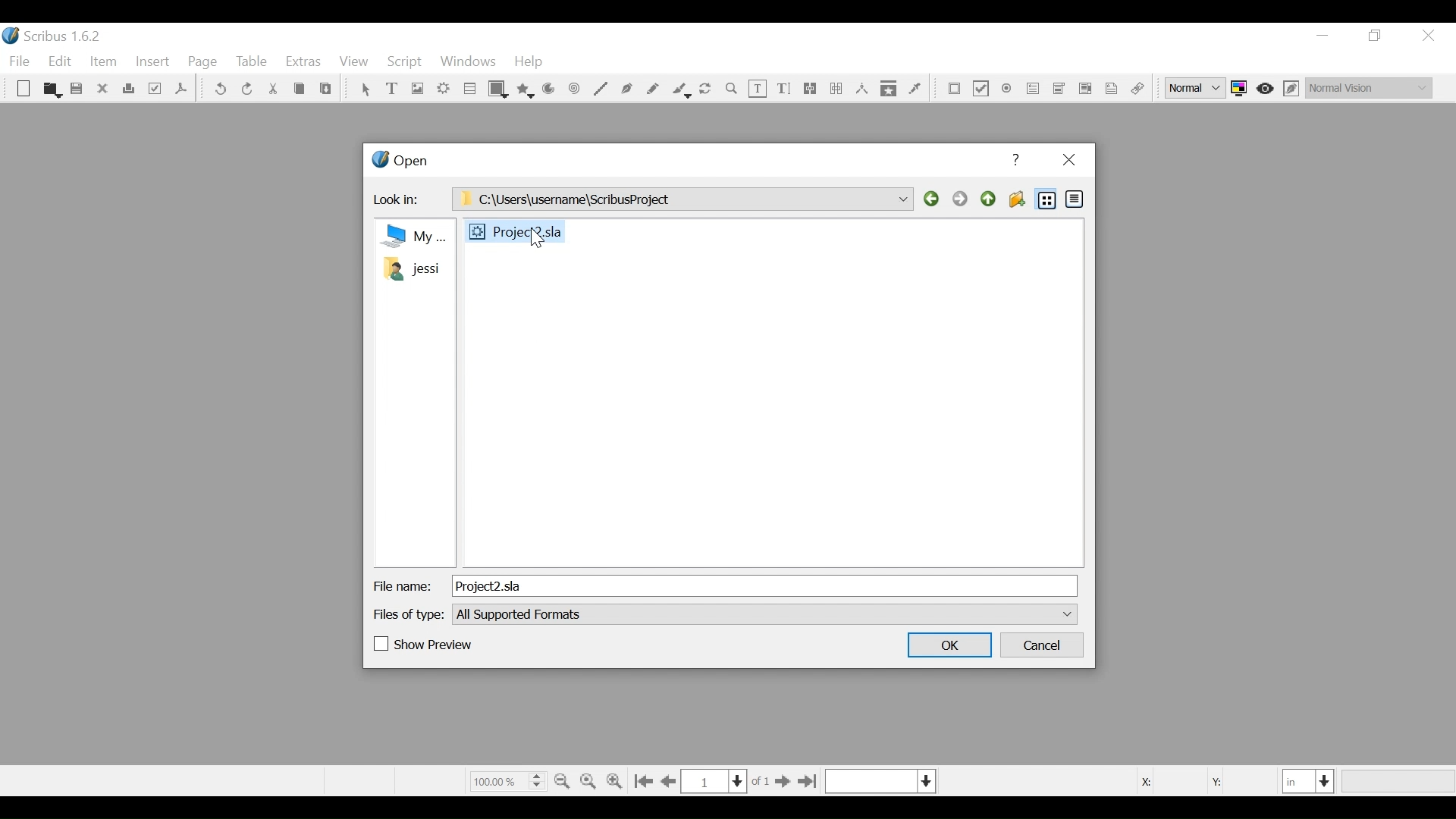 This screenshot has height=819, width=1456. I want to click on Image Frame, so click(416, 89).